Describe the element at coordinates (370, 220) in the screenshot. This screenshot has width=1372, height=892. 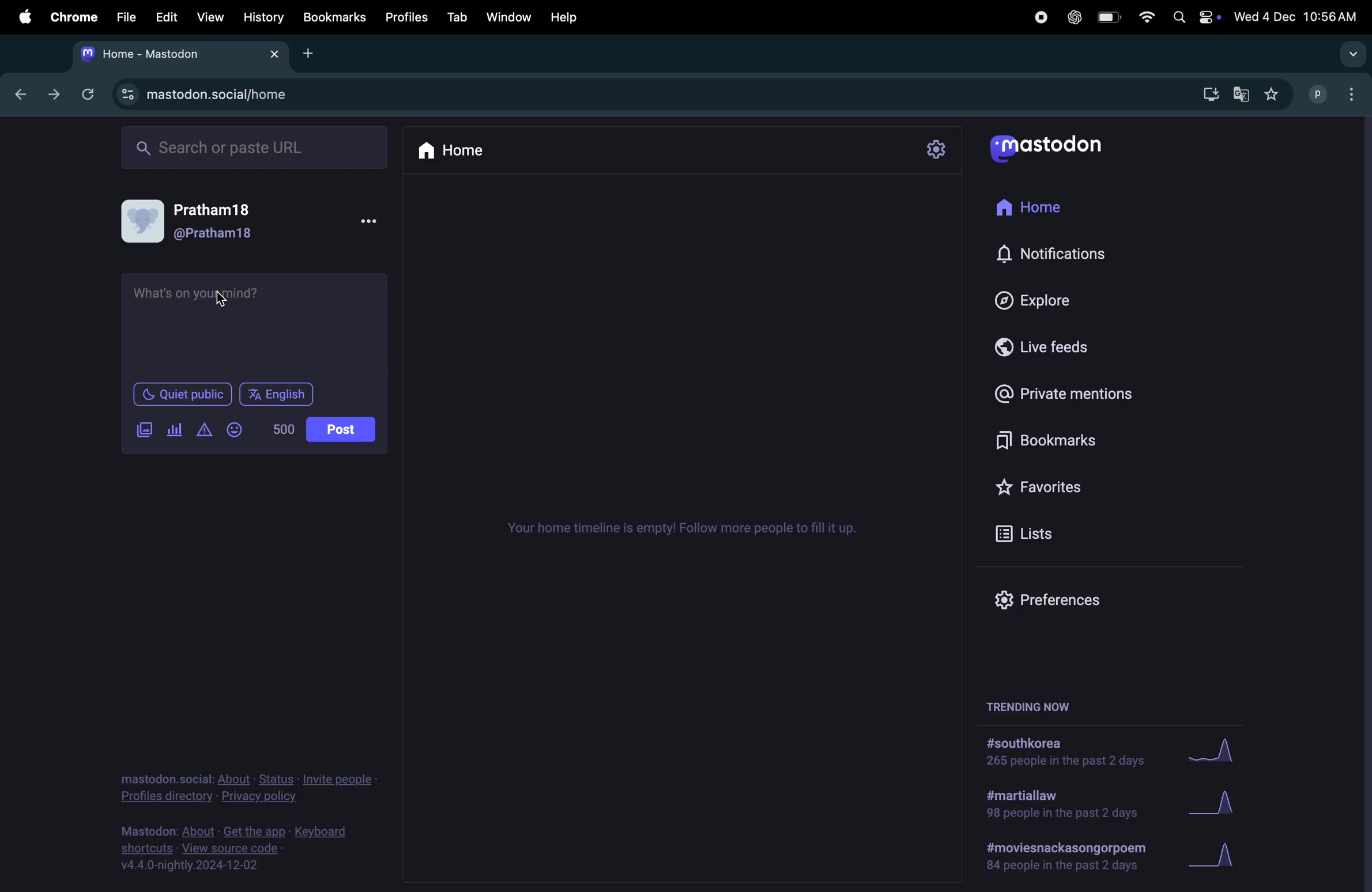
I see `options` at that location.